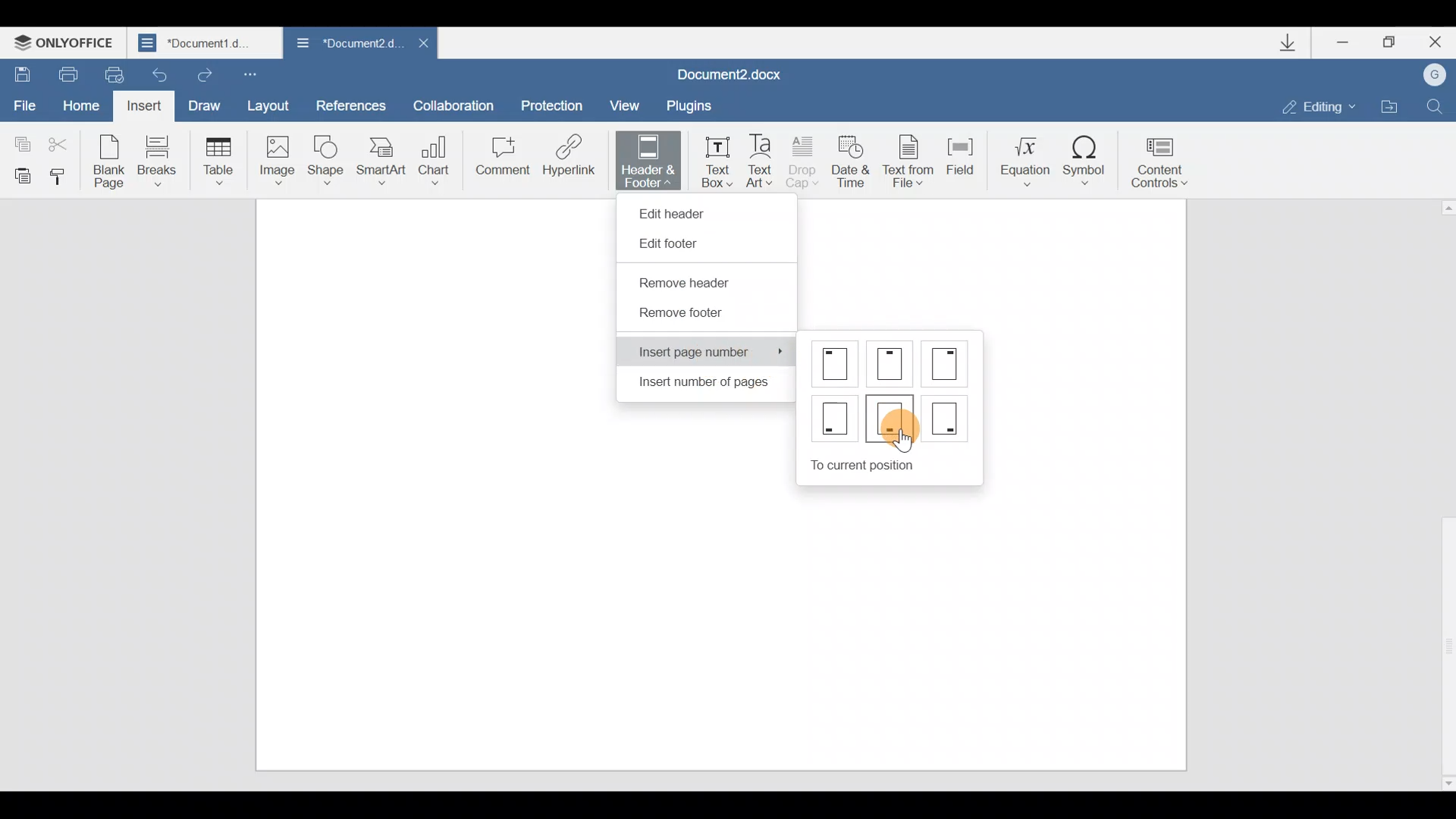 Image resolution: width=1456 pixels, height=819 pixels. Describe the element at coordinates (20, 174) in the screenshot. I see `Paste` at that location.